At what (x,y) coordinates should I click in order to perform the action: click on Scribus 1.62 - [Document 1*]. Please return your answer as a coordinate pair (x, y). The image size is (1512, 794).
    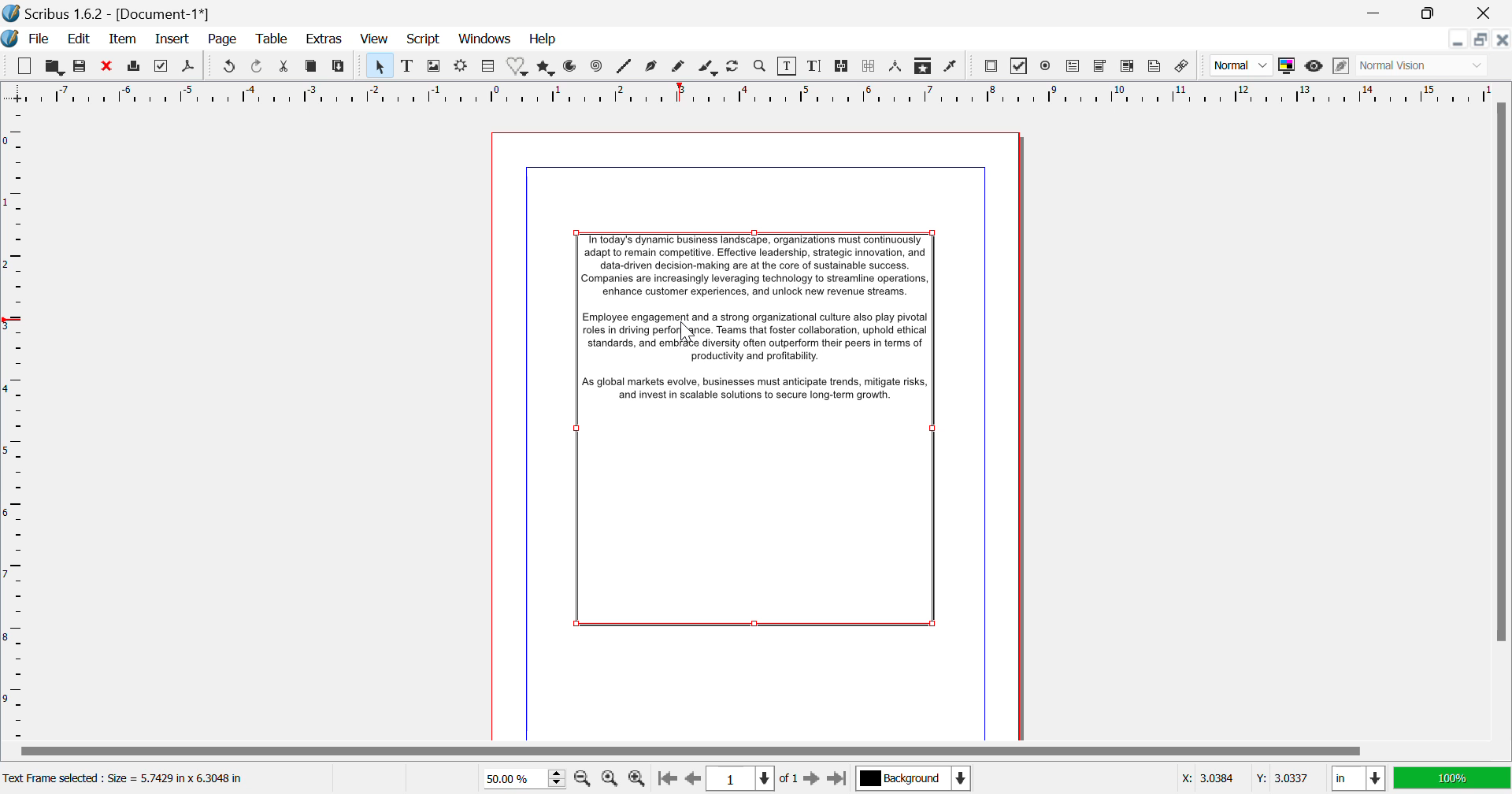
    Looking at the image, I should click on (110, 13).